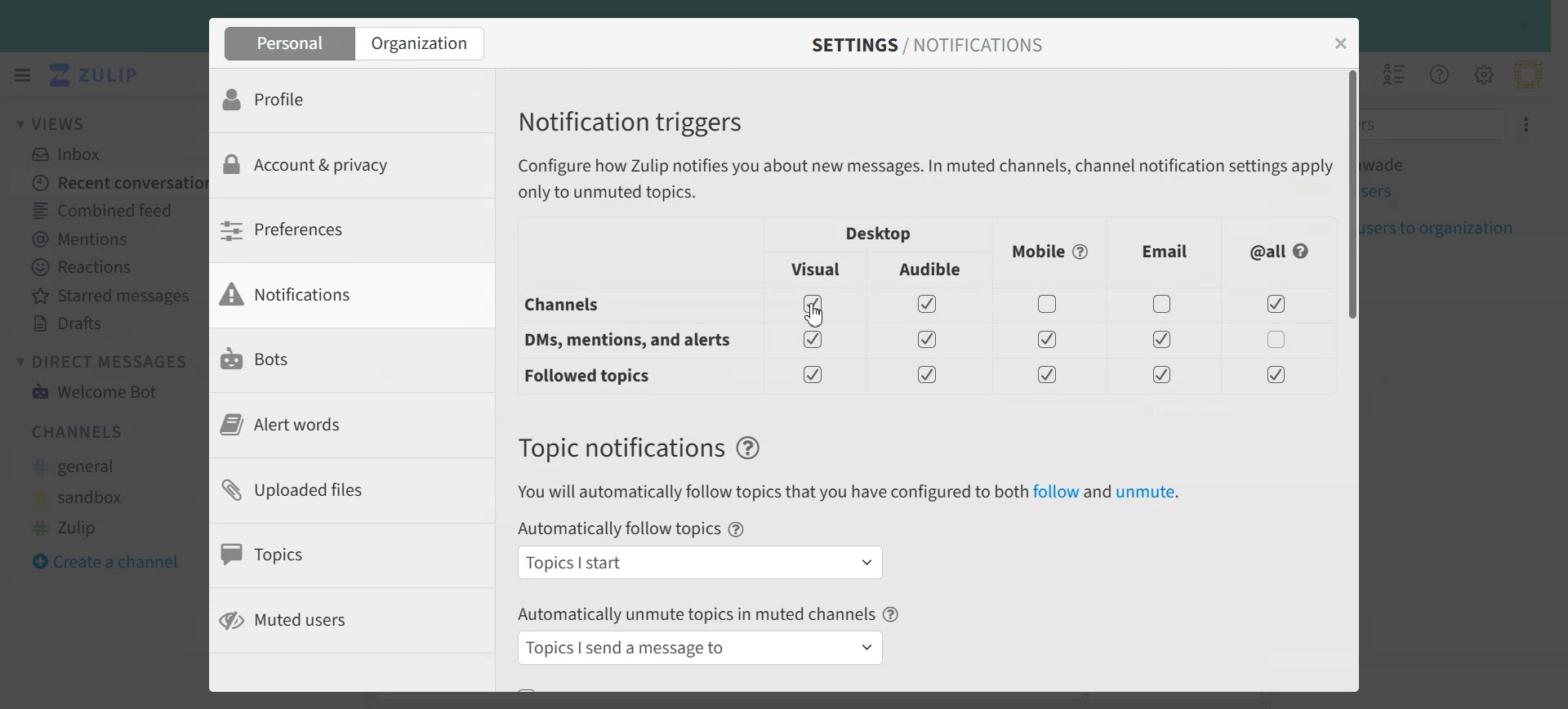 This screenshot has height=709, width=1568. I want to click on Drafts, so click(109, 323).